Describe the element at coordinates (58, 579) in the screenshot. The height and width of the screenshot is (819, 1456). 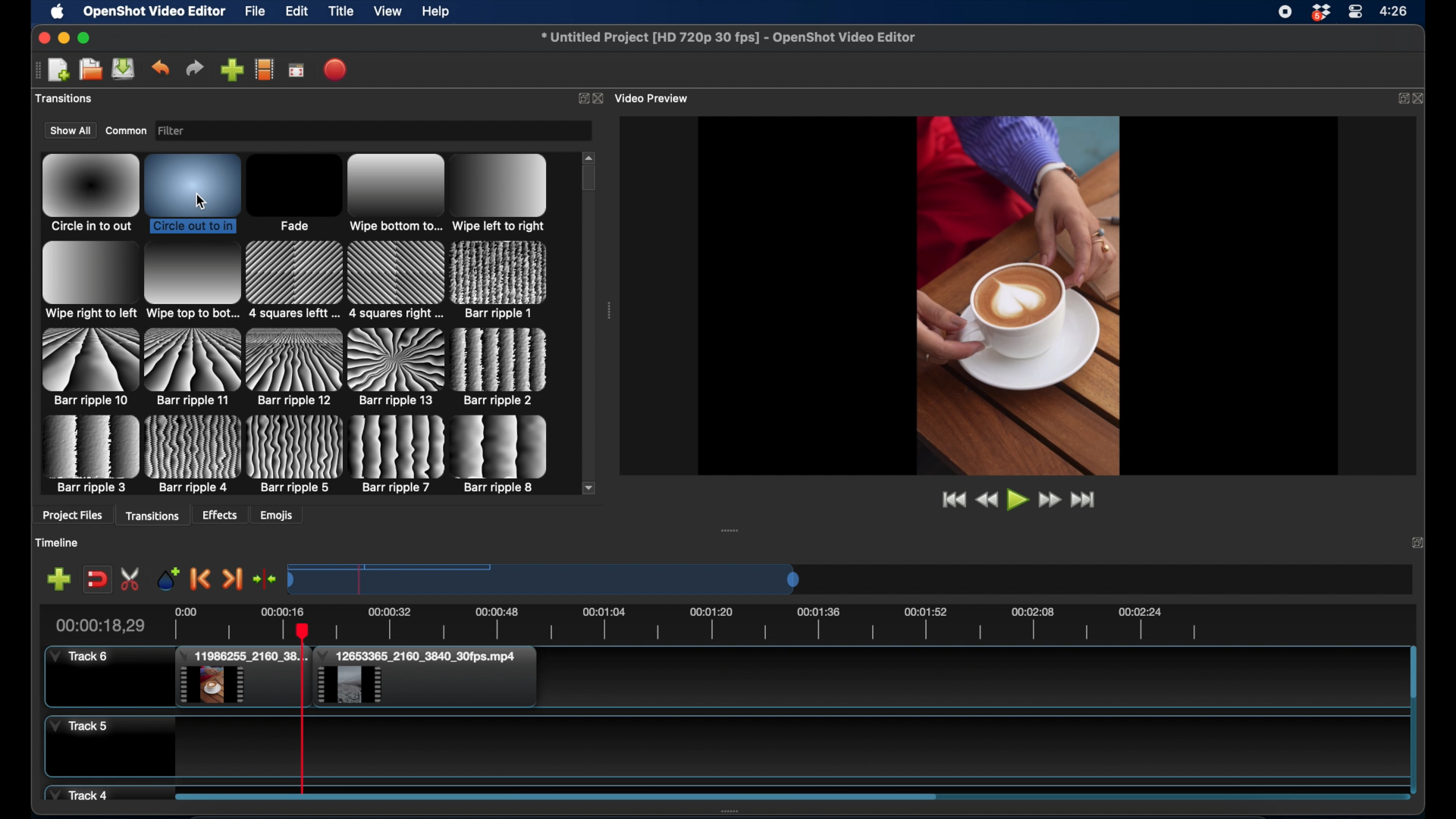
I see `add marker` at that location.